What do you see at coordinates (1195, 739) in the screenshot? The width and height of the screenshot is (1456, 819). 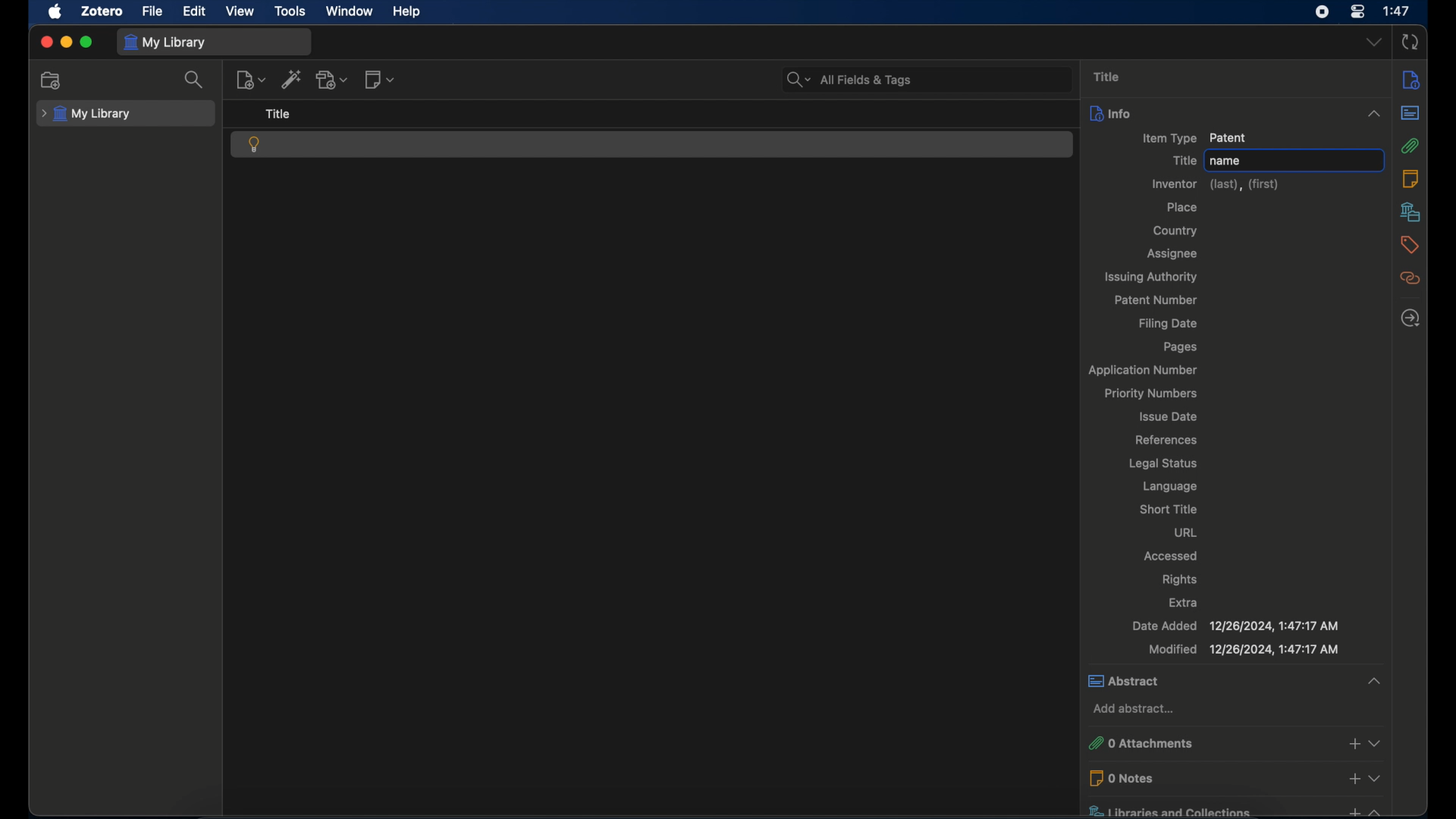 I see `0 attachments` at bounding box center [1195, 739].